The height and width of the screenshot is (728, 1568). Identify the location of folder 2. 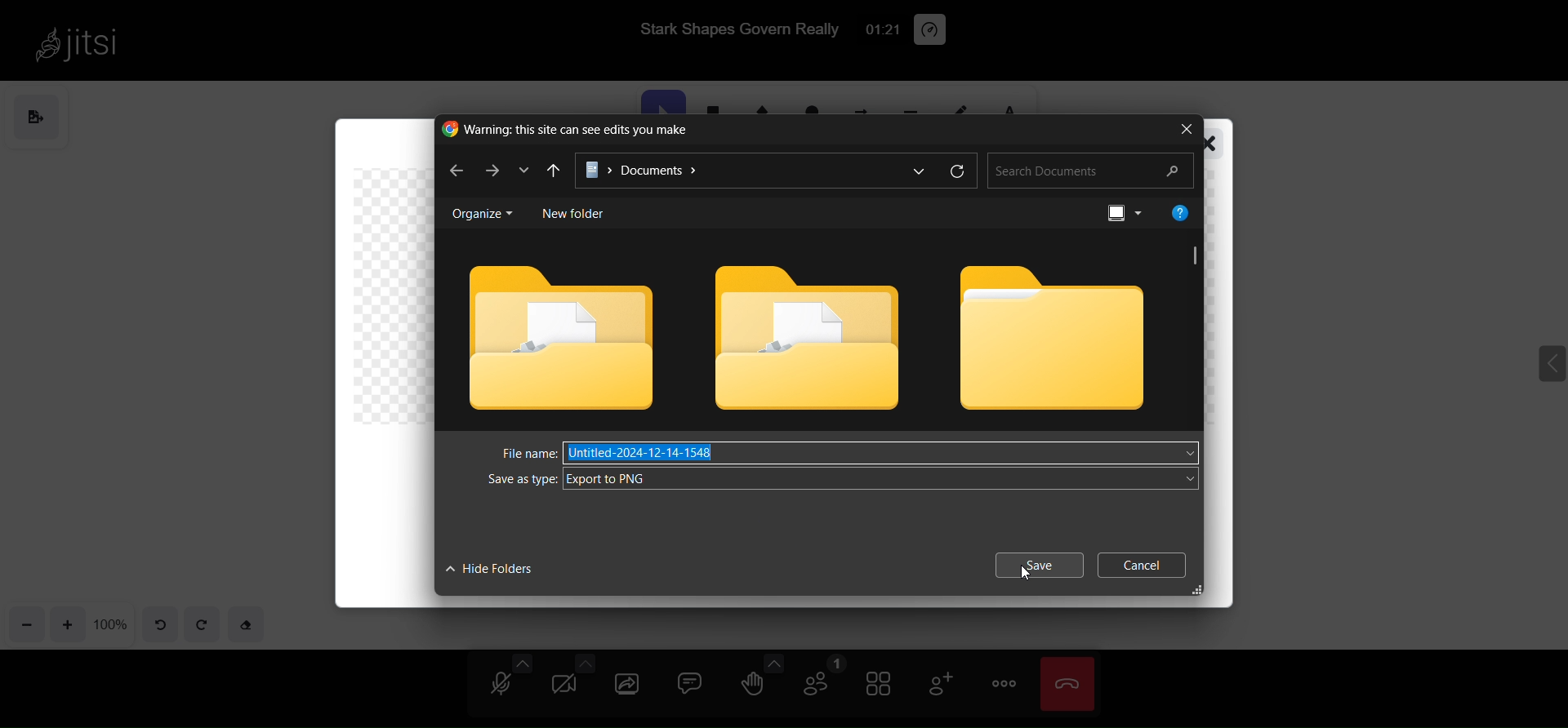
(806, 334).